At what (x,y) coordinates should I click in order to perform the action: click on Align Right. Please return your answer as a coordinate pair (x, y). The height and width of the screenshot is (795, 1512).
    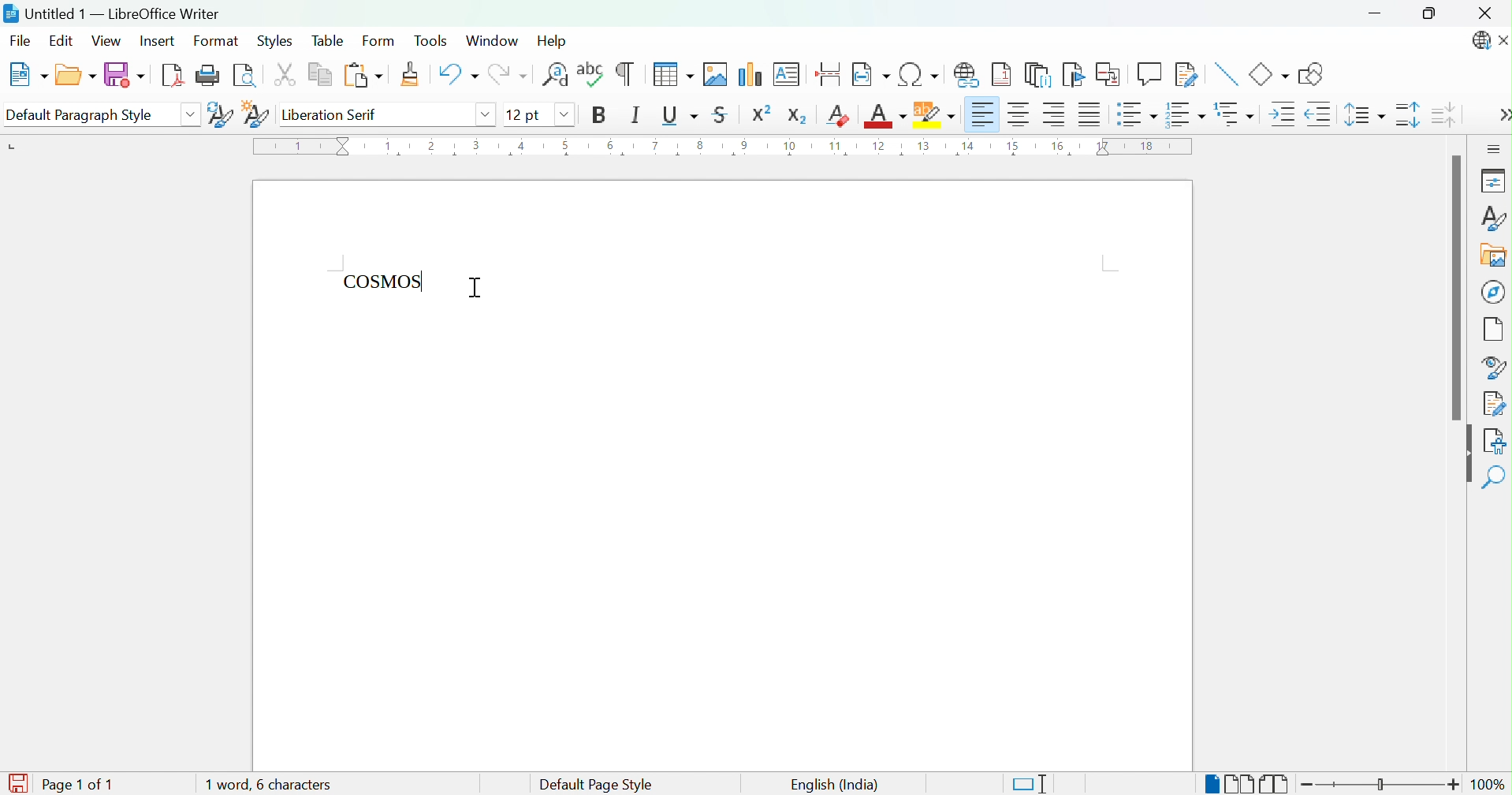
    Looking at the image, I should click on (1055, 115).